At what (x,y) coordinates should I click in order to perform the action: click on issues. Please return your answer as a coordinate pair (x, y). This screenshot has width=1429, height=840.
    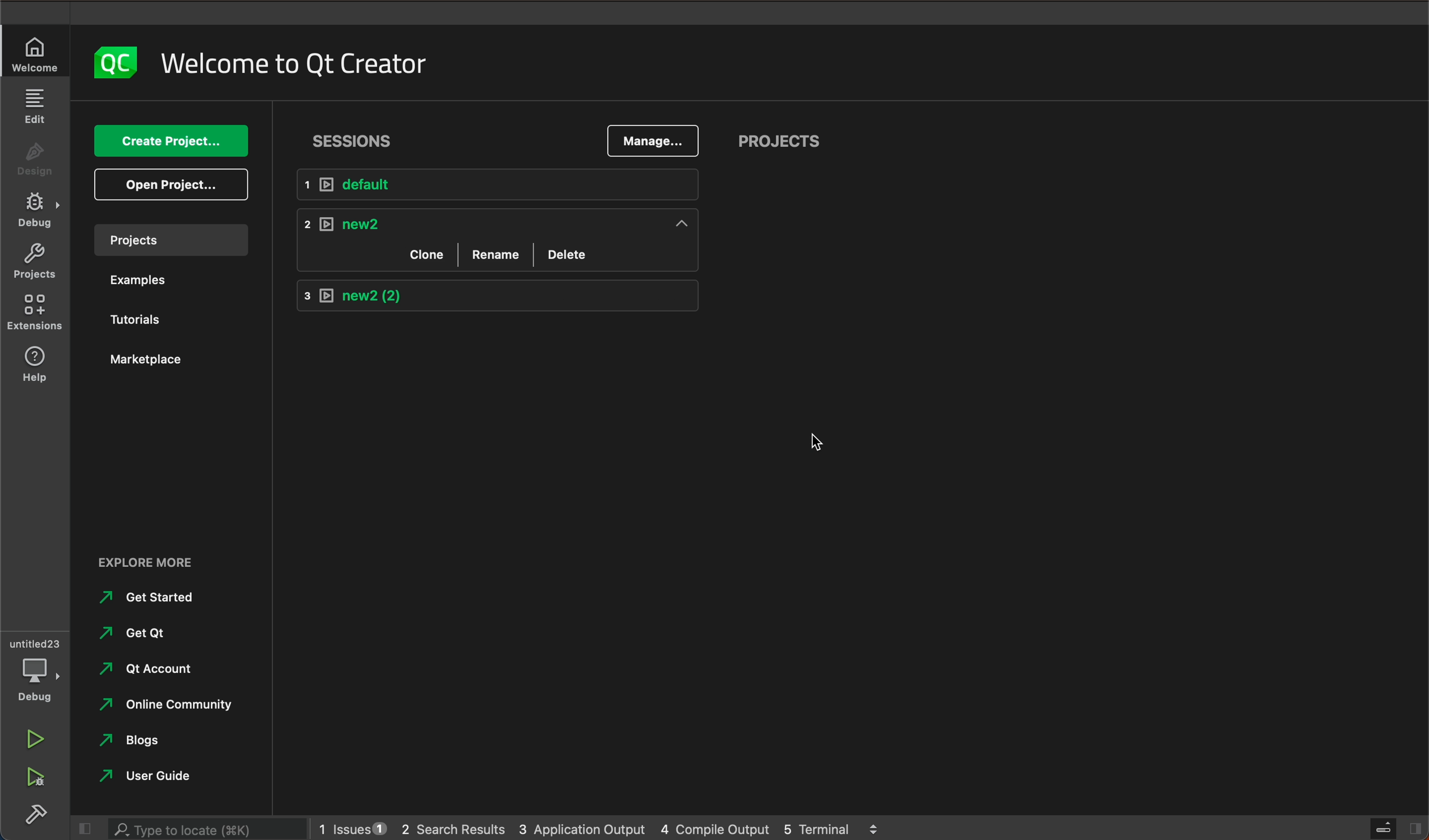
    Looking at the image, I should click on (352, 826).